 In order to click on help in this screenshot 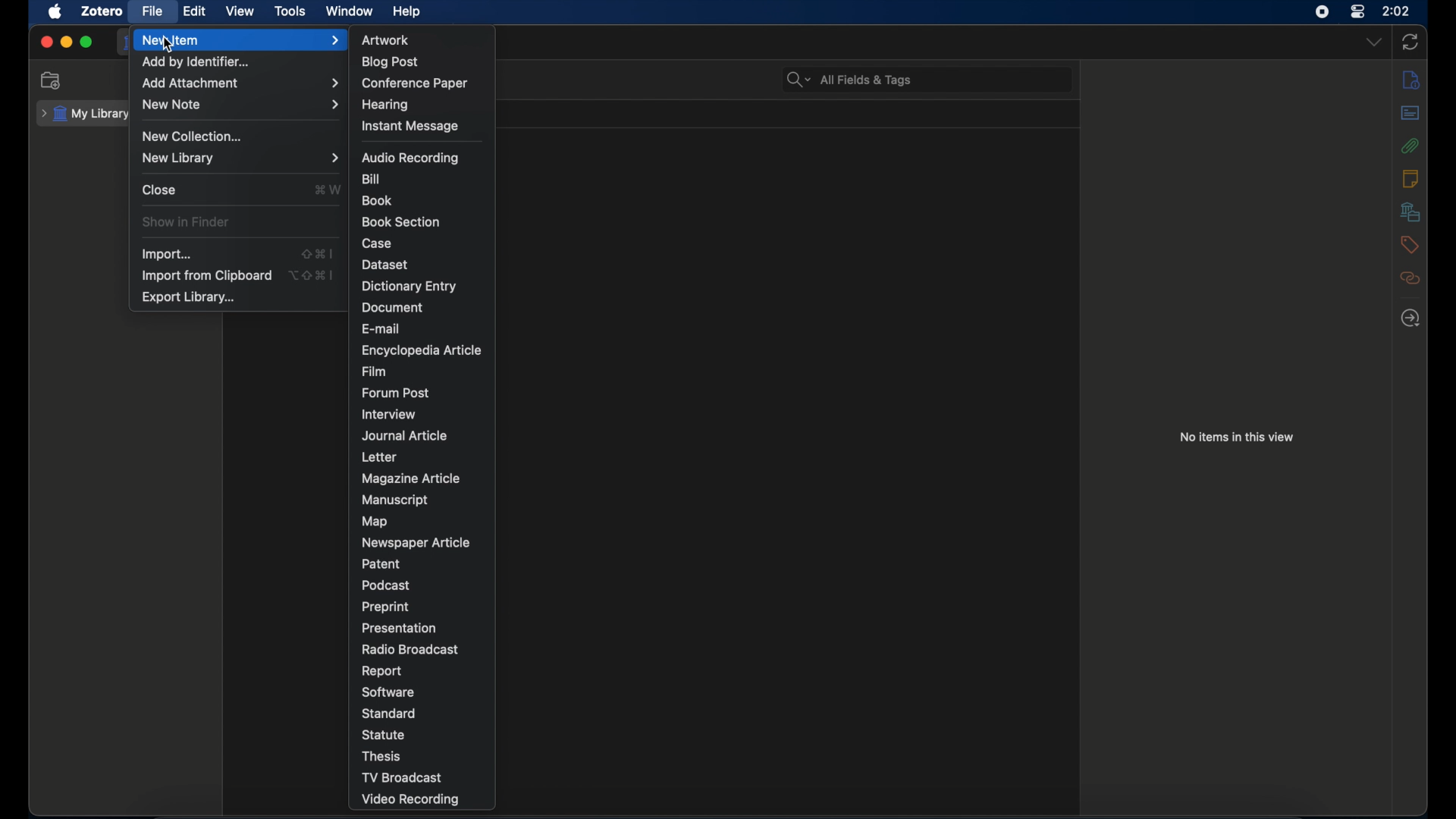, I will do `click(406, 12)`.